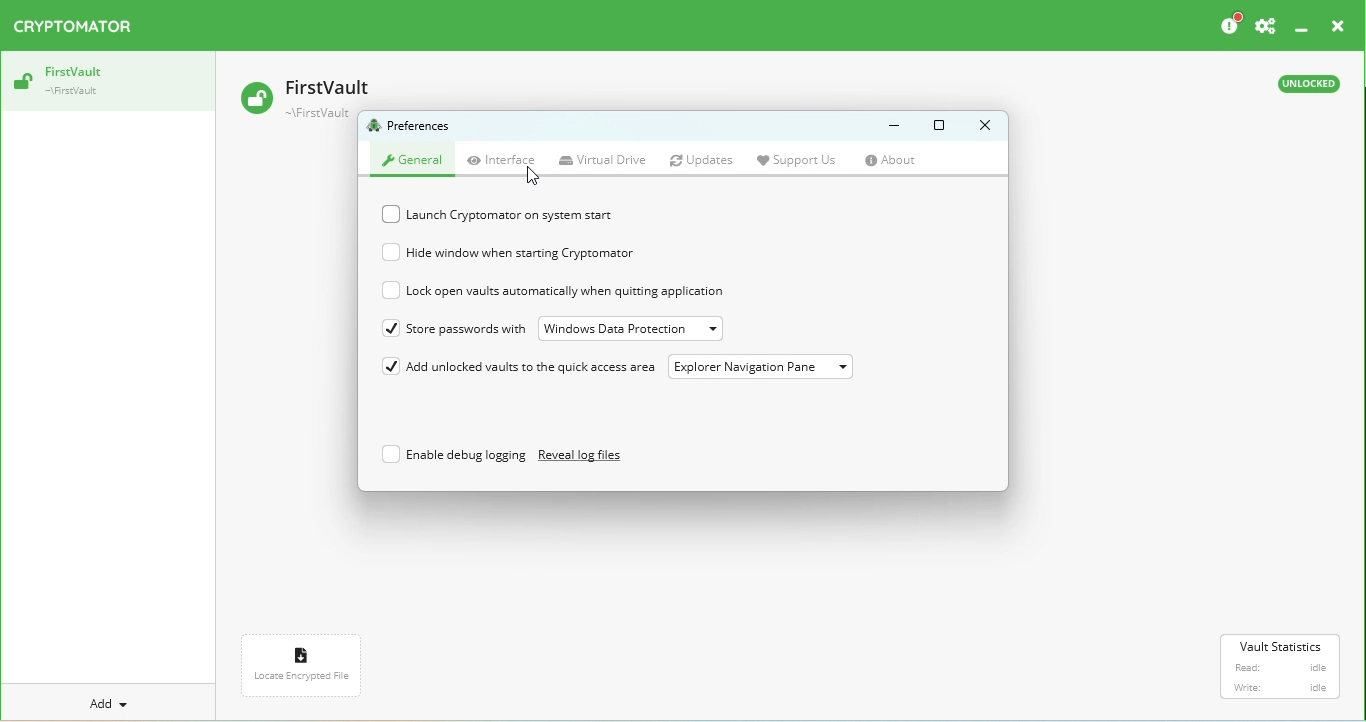  Describe the element at coordinates (78, 27) in the screenshot. I see `Cryptomator logo` at that location.